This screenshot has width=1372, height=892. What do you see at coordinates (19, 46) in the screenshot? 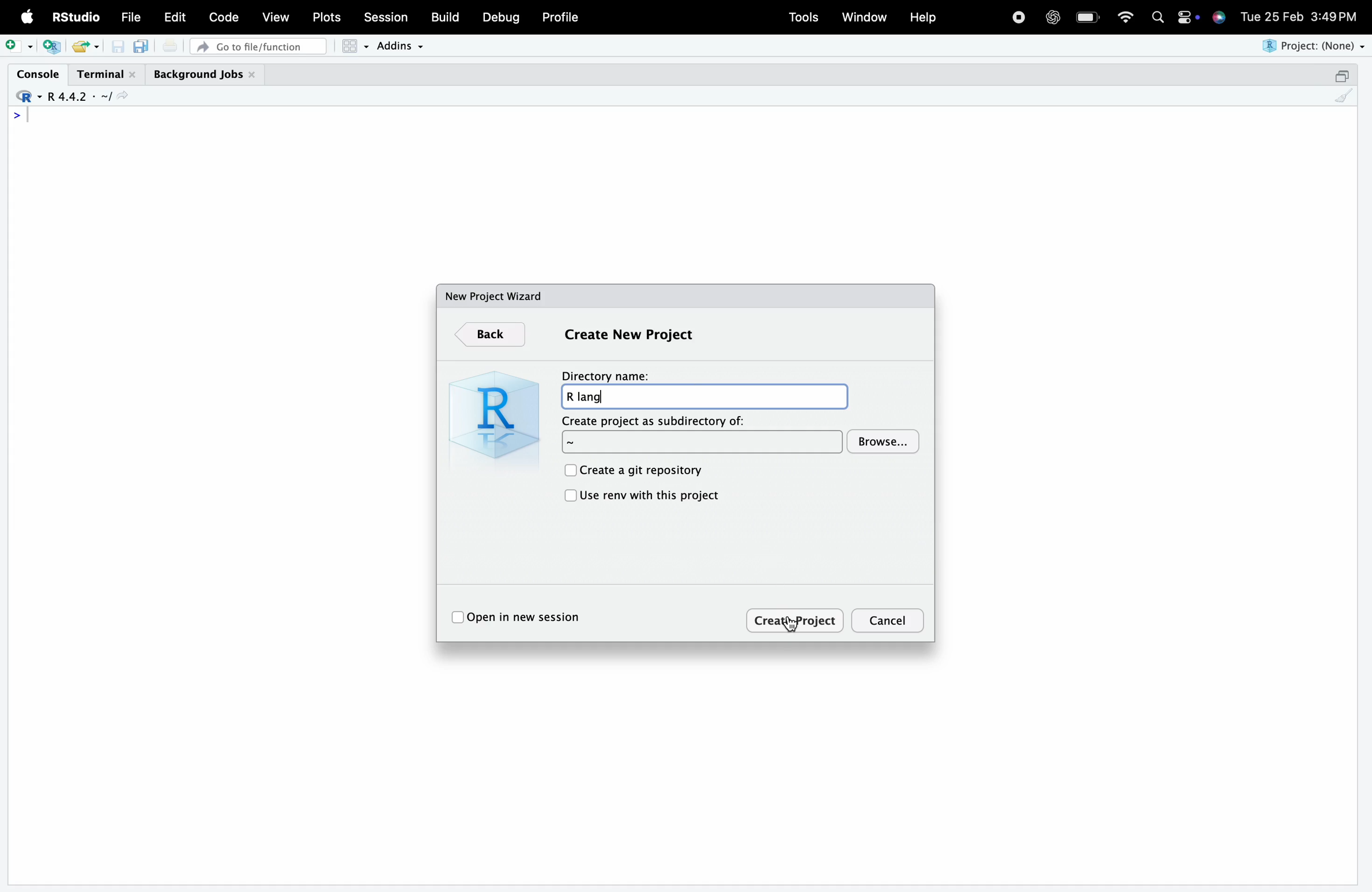
I see `new file` at bounding box center [19, 46].